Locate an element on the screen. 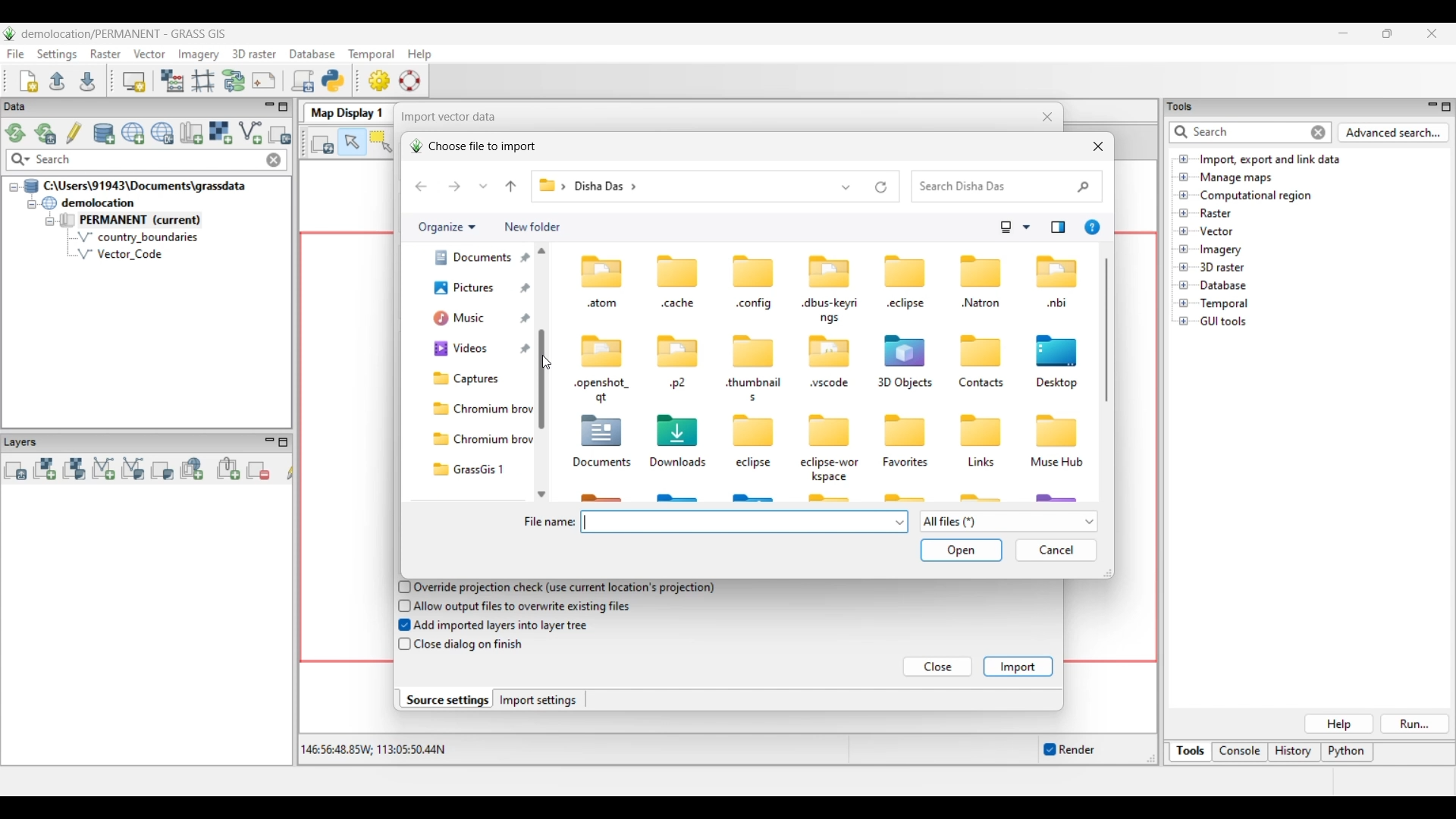 Image resolution: width=1456 pixels, height=819 pixels. Chromium browser folder is located at coordinates (479, 439).